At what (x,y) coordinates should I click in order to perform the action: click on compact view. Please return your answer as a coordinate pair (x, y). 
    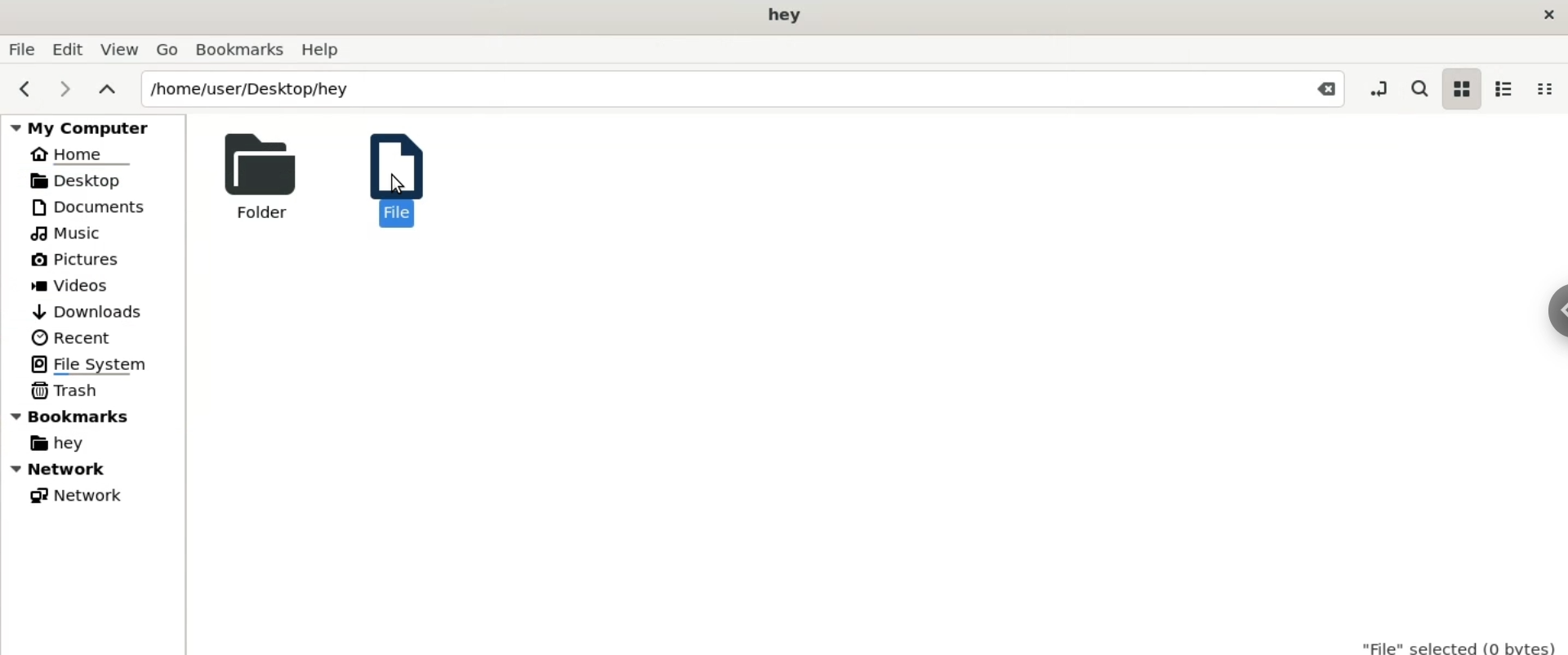
    Looking at the image, I should click on (1544, 89).